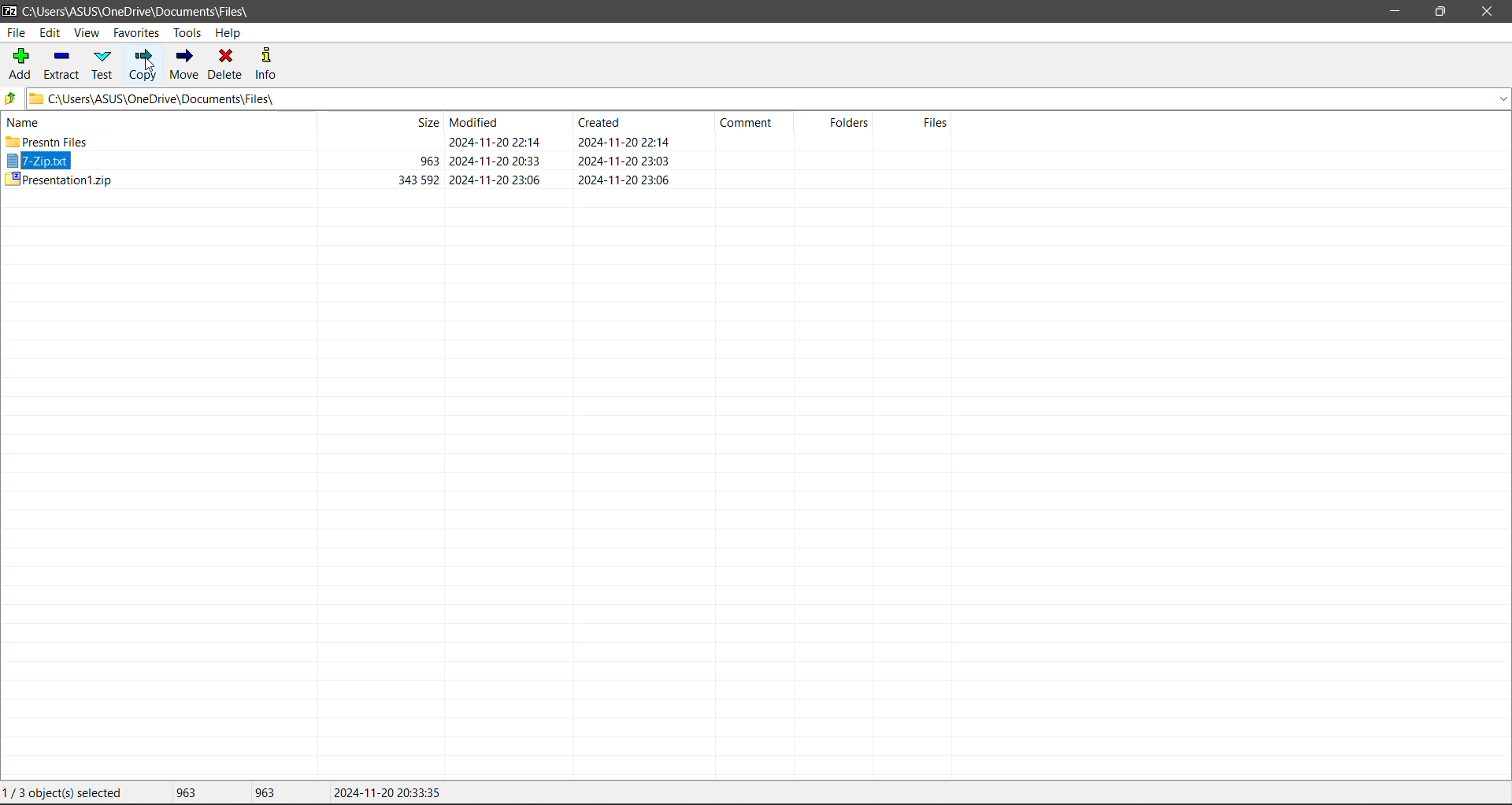 Image resolution: width=1512 pixels, height=805 pixels. Describe the element at coordinates (10, 98) in the screenshot. I see `Move Up one level` at that location.